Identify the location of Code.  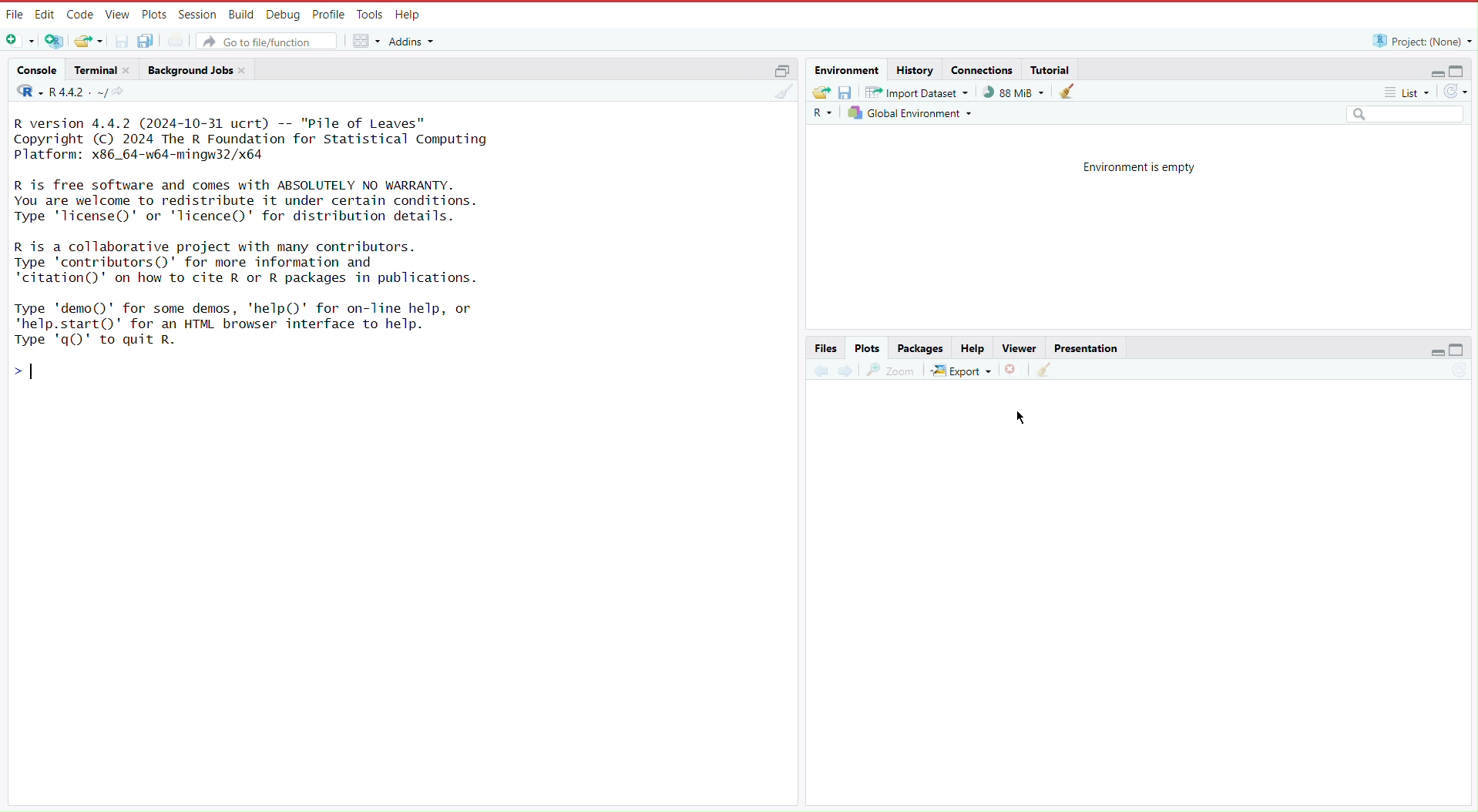
(79, 15).